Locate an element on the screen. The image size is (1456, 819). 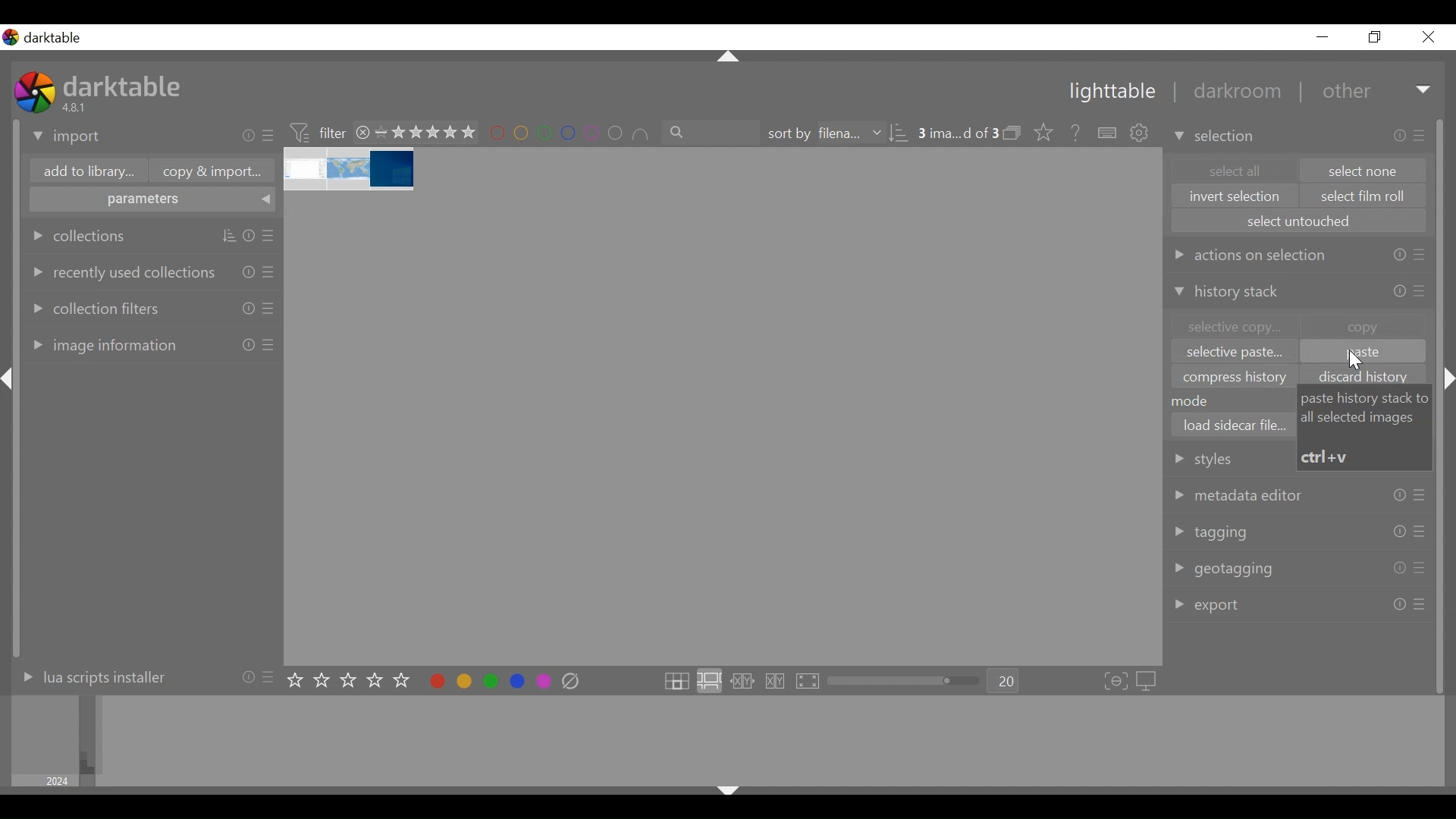
load sidebar file is located at coordinates (1234, 425).